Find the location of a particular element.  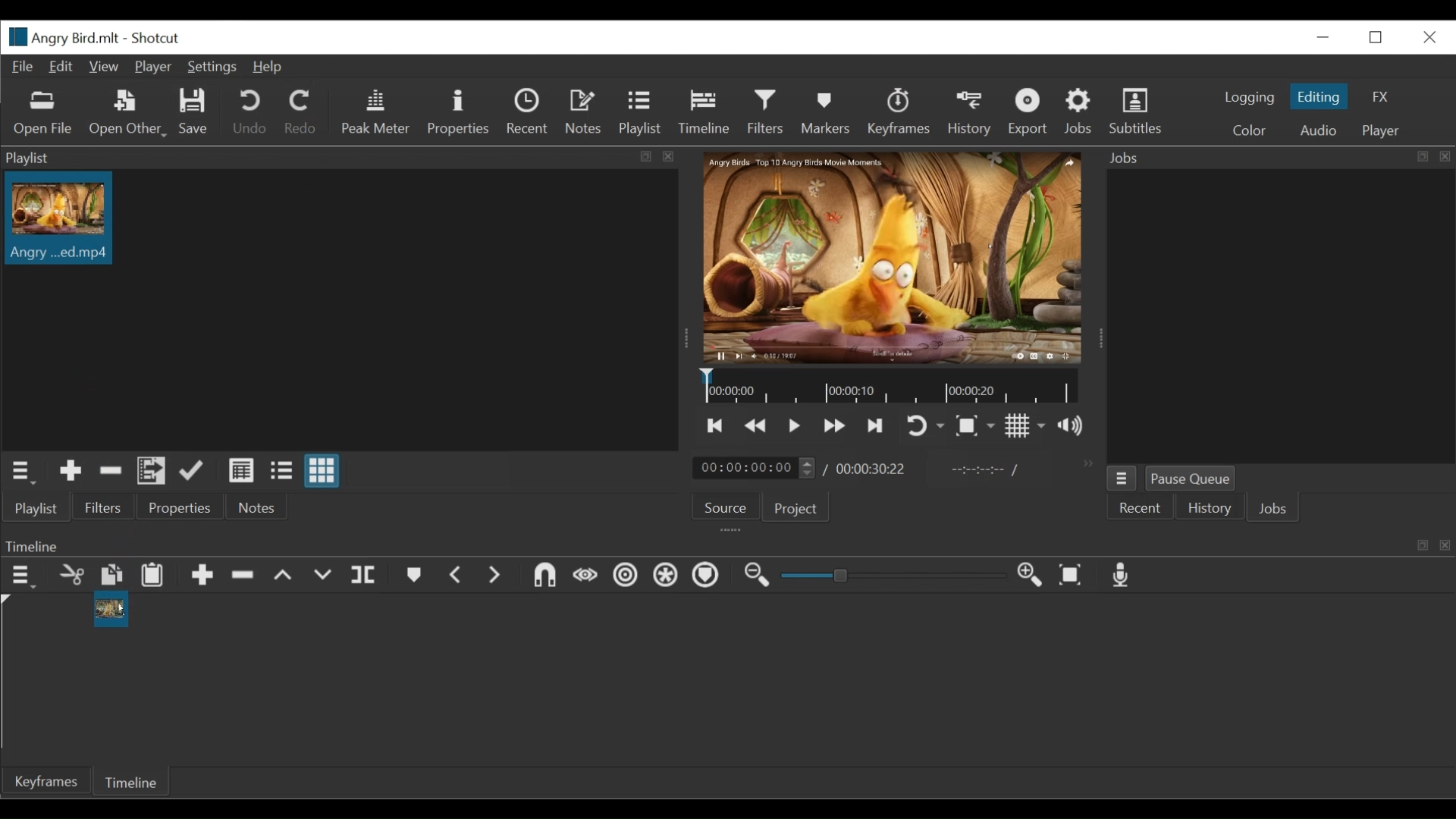

View is located at coordinates (102, 67).